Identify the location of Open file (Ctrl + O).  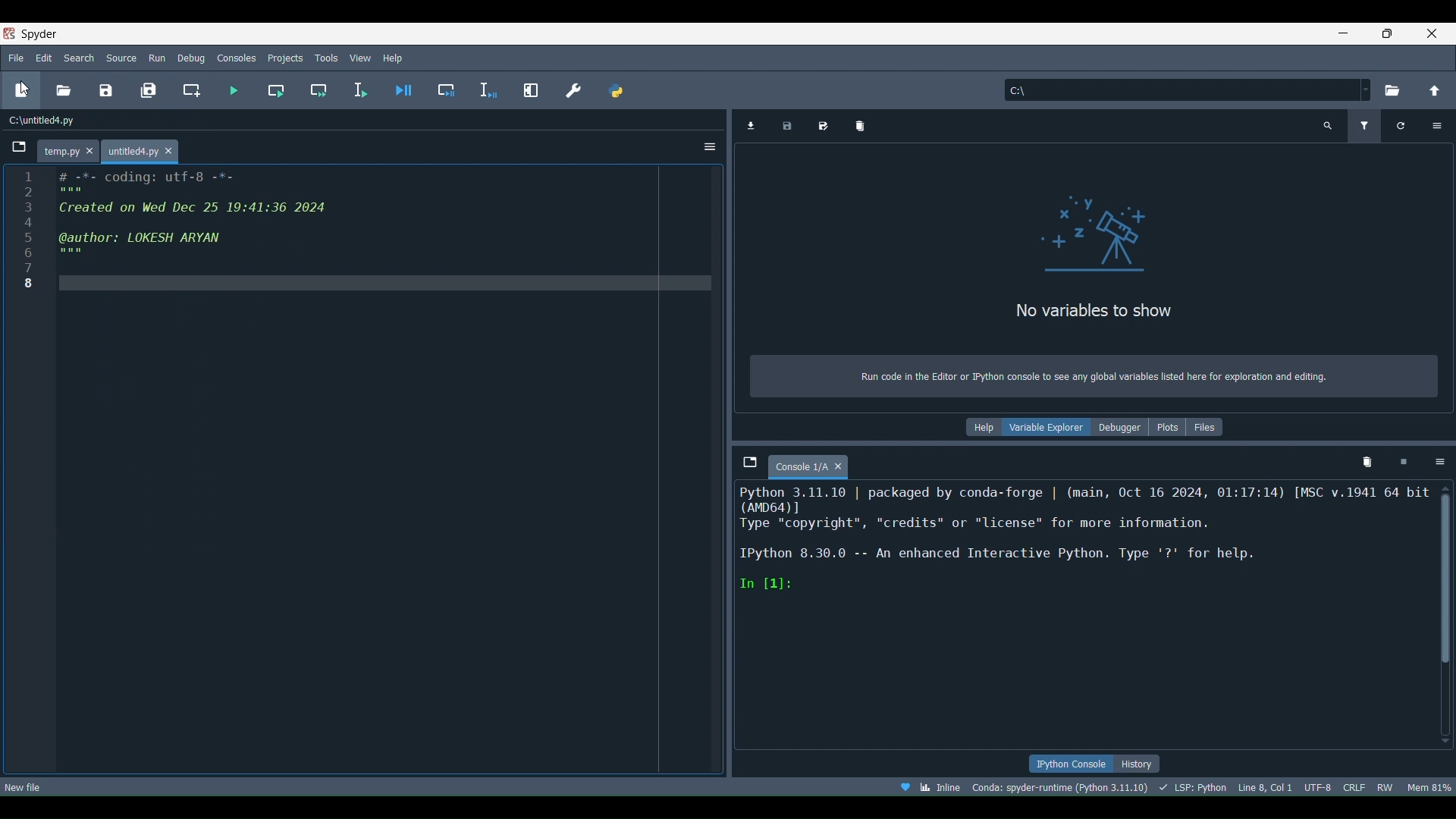
(63, 90).